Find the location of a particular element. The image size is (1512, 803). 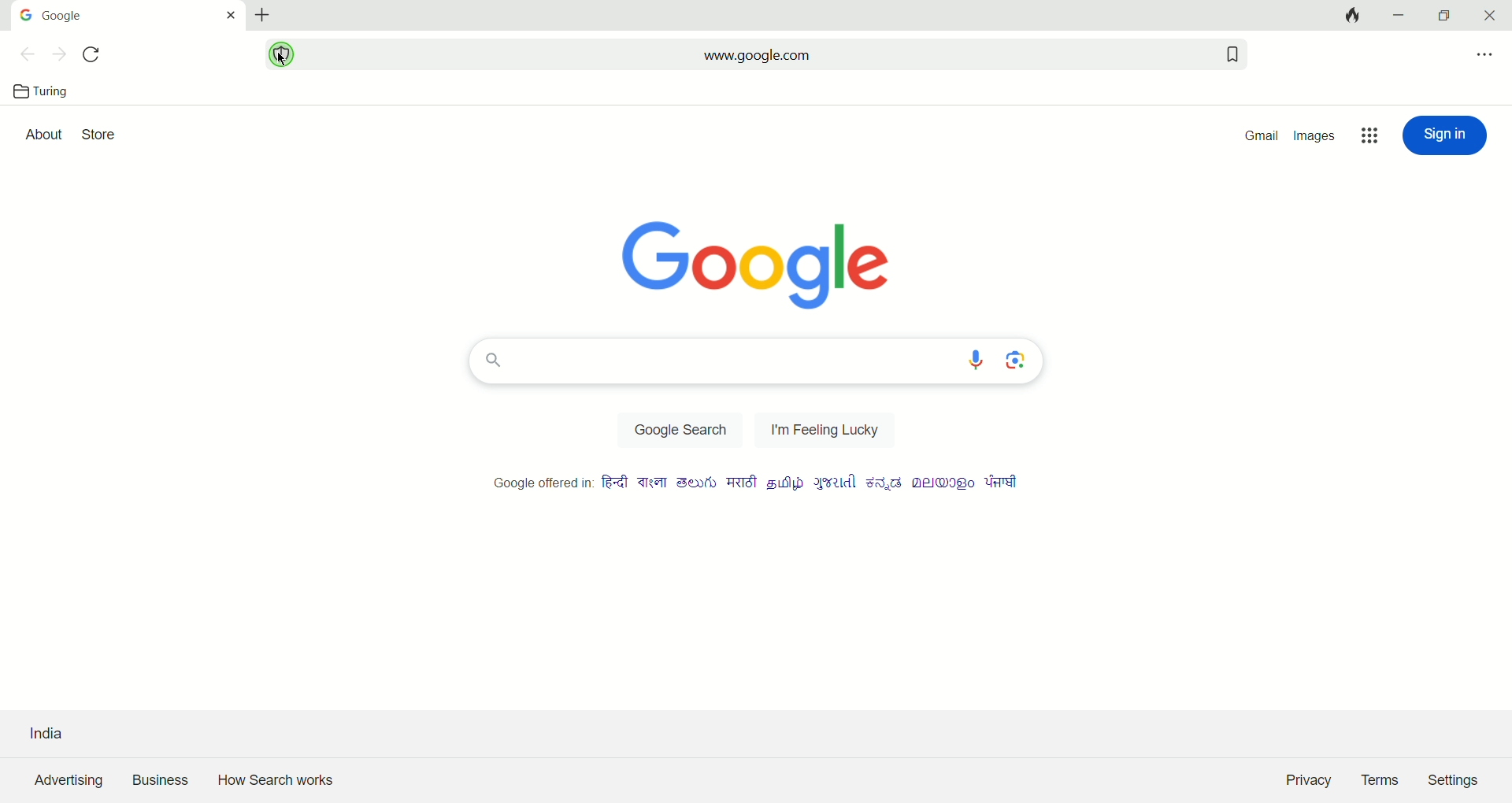

Terms is located at coordinates (1384, 781).